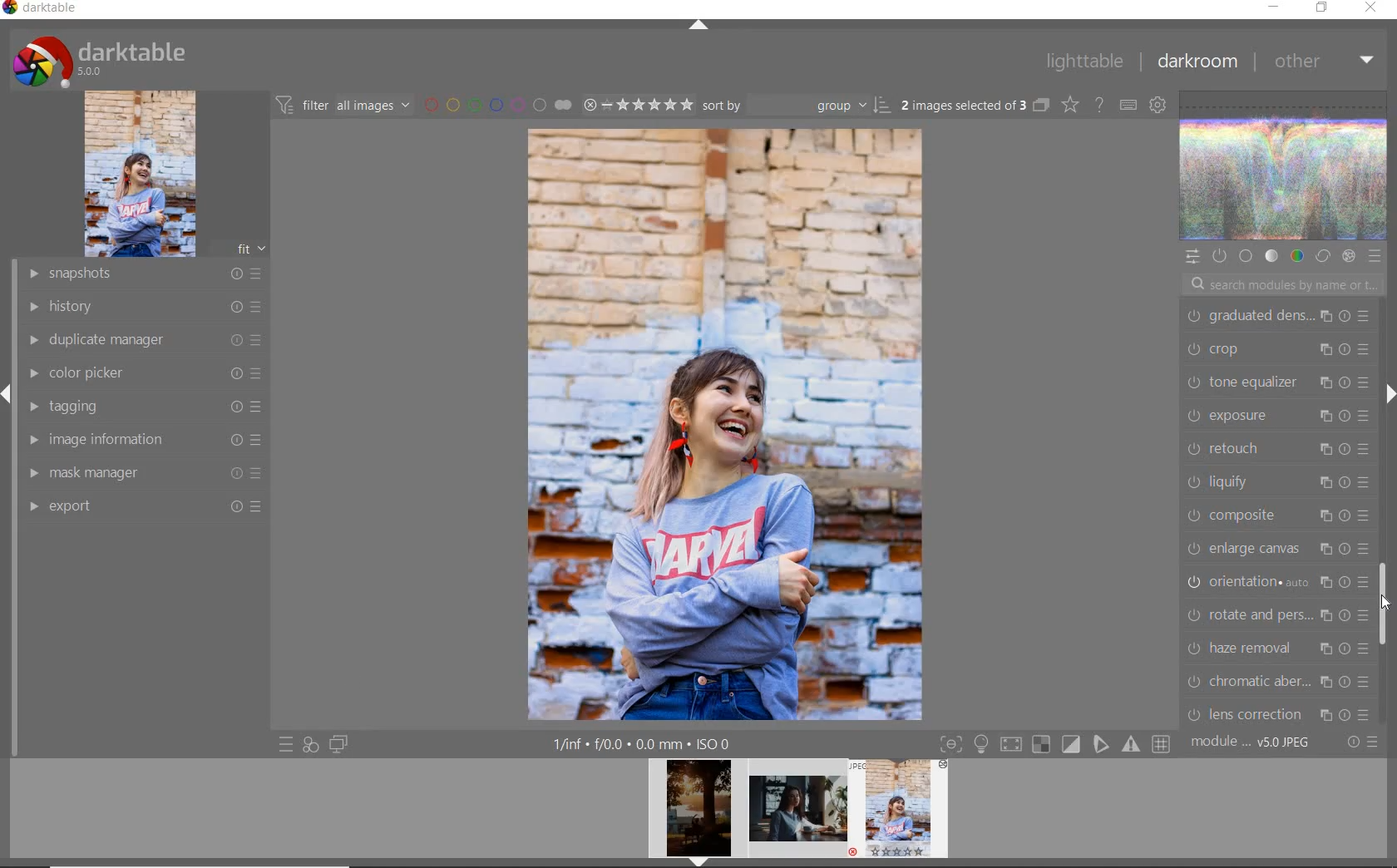  I want to click on COLLAPSE GROUPED  IMAGES, so click(1041, 104).